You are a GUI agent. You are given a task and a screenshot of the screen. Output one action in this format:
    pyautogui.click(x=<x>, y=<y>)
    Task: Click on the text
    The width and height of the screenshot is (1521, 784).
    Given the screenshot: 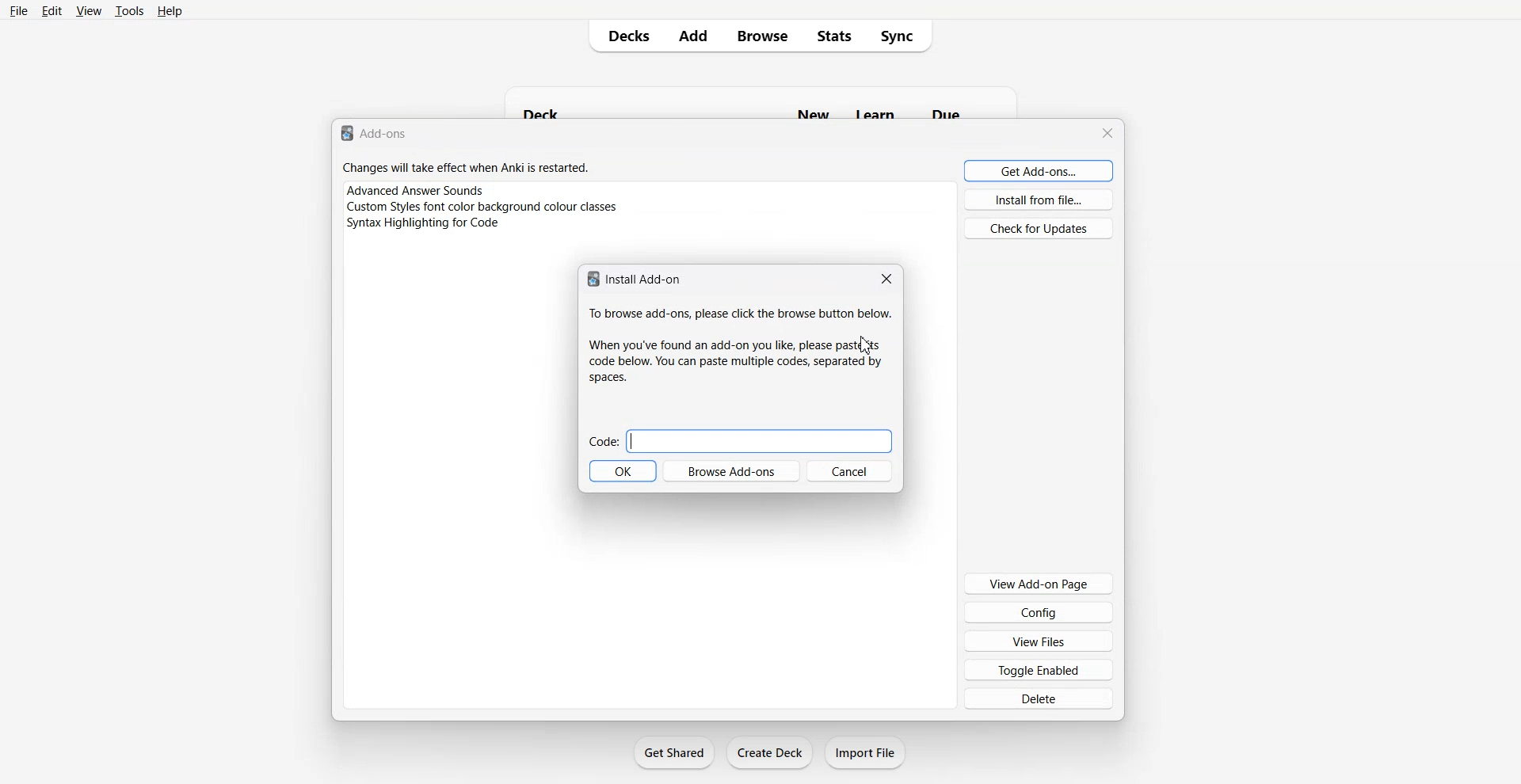 What is the action you would take?
    pyautogui.click(x=734, y=360)
    